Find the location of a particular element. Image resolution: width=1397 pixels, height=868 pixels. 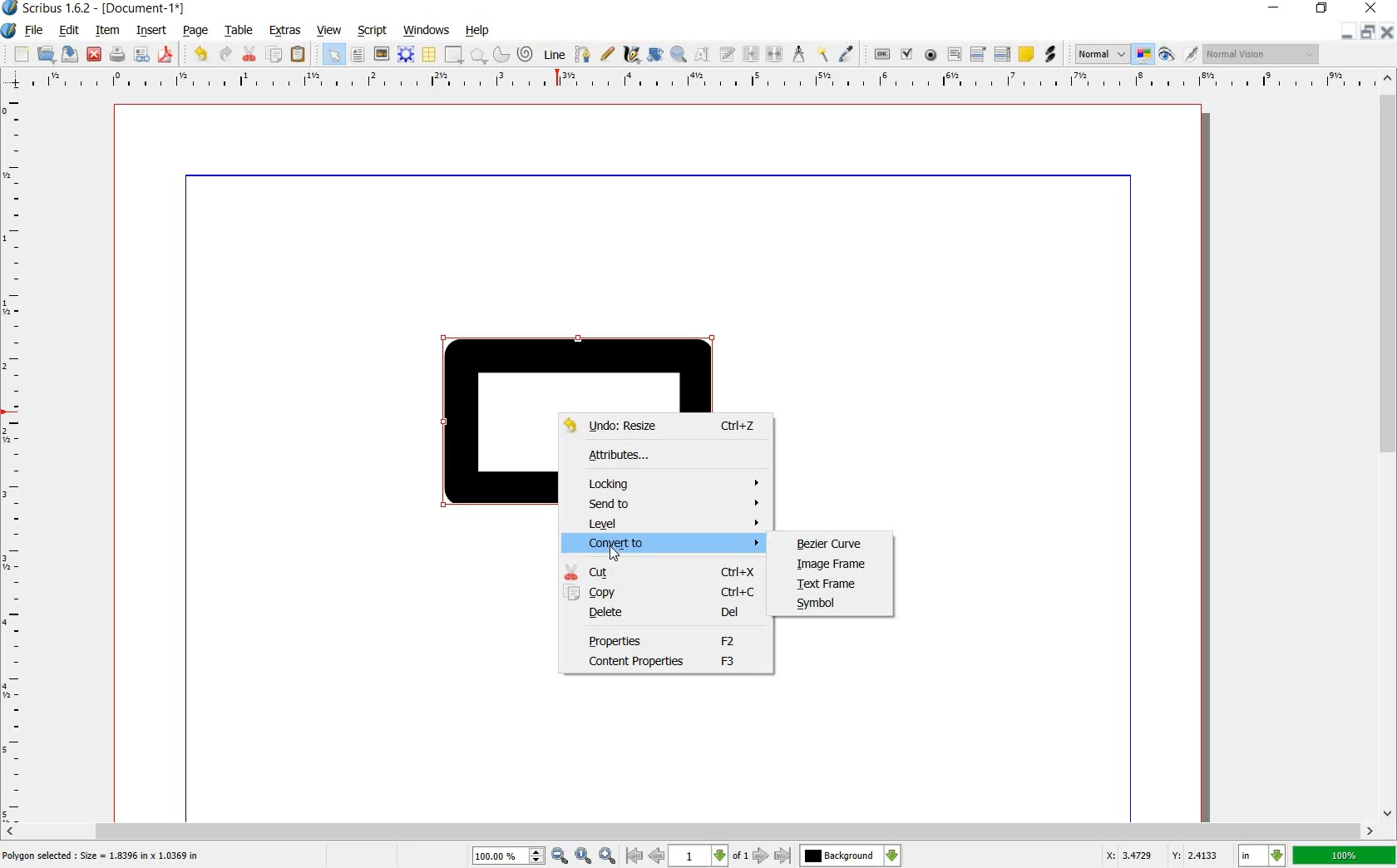

measurements is located at coordinates (799, 53).